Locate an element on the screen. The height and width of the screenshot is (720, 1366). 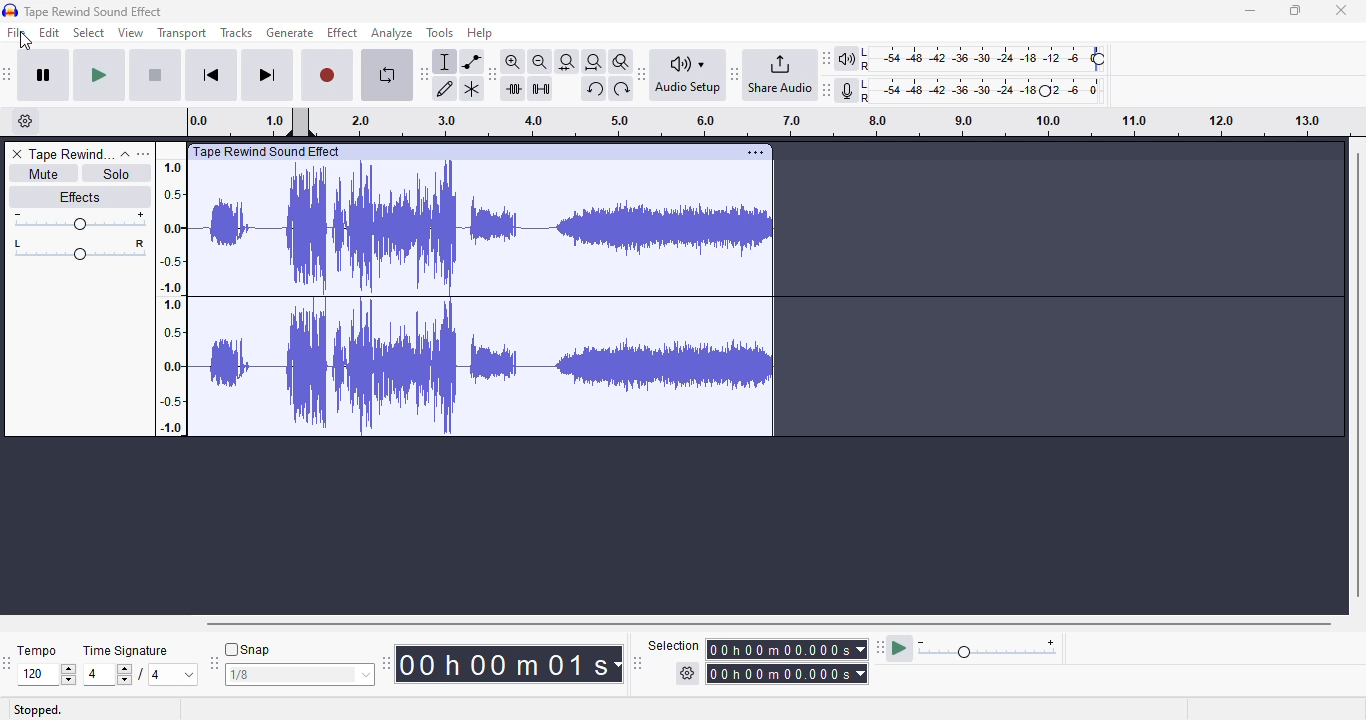
view is located at coordinates (131, 32).